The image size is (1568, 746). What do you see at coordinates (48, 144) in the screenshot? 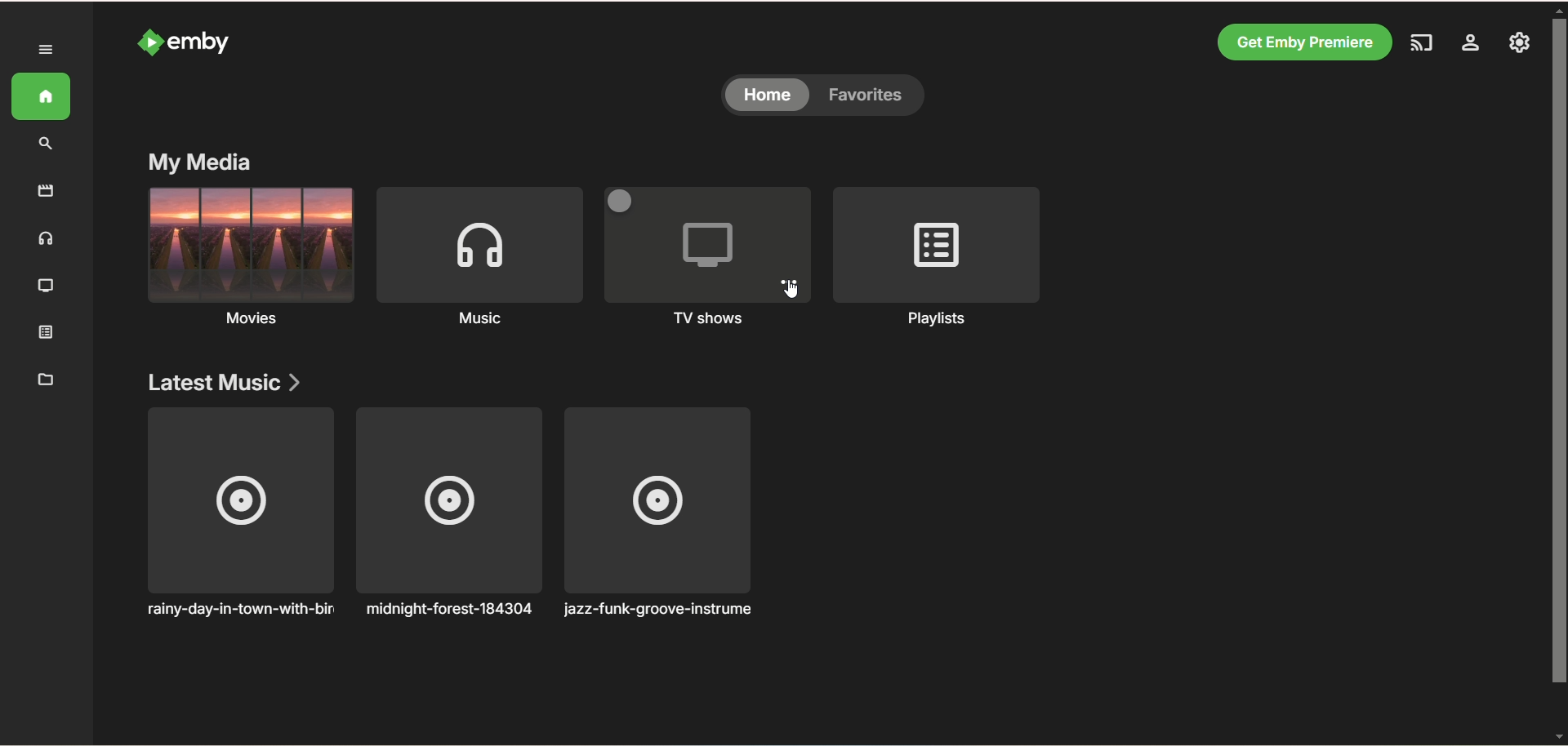
I see `search` at bounding box center [48, 144].